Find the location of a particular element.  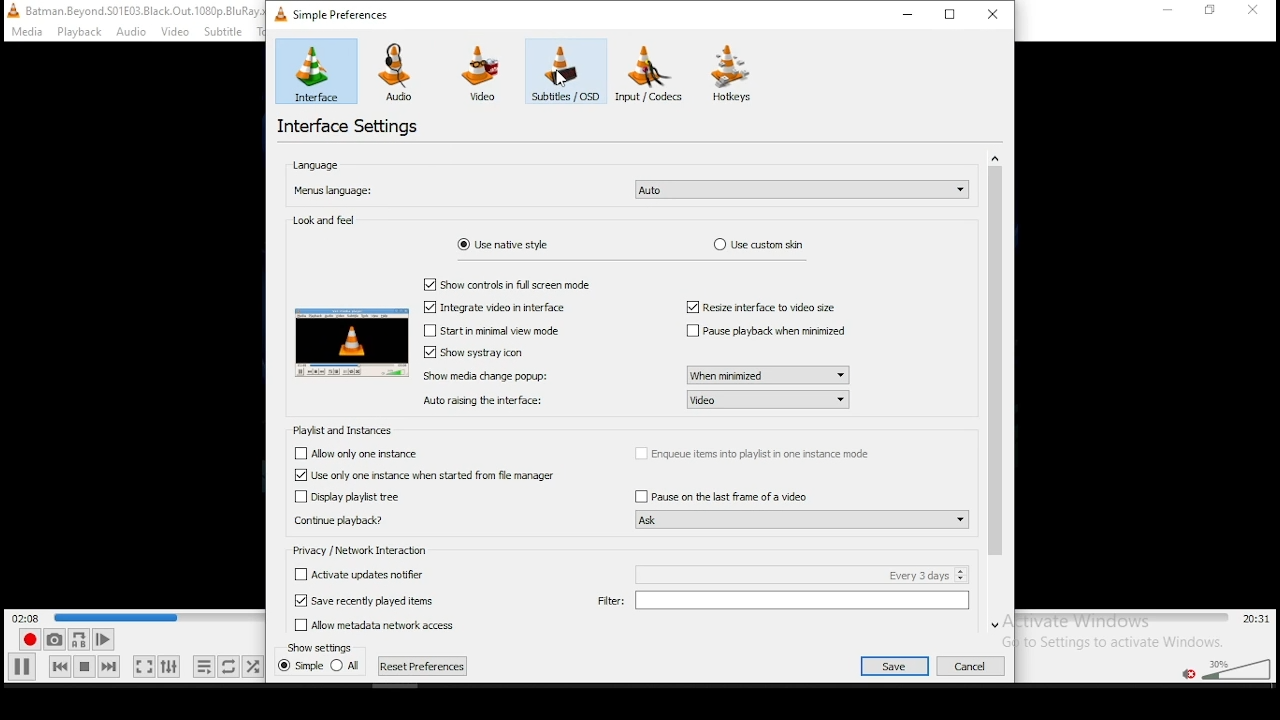

next chapter is located at coordinates (423, 666).